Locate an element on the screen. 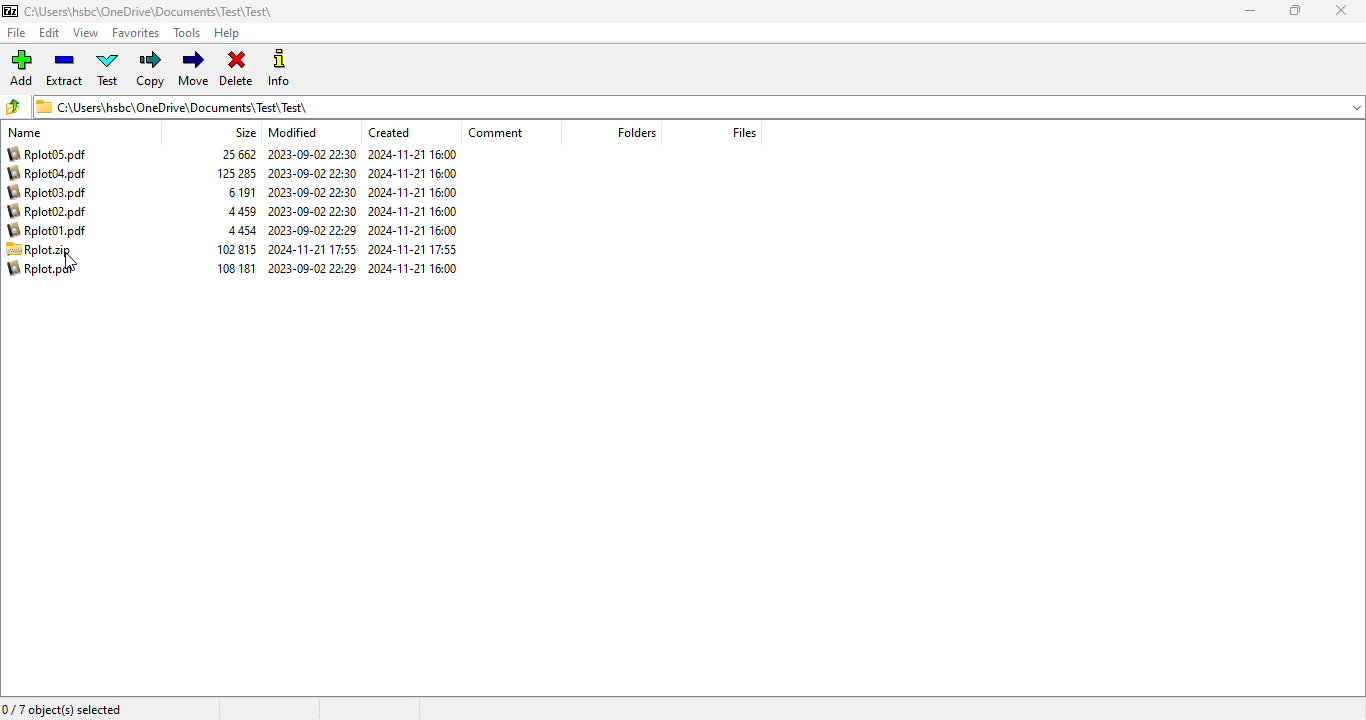 The height and width of the screenshot is (720, 1366). extract is located at coordinates (65, 69).